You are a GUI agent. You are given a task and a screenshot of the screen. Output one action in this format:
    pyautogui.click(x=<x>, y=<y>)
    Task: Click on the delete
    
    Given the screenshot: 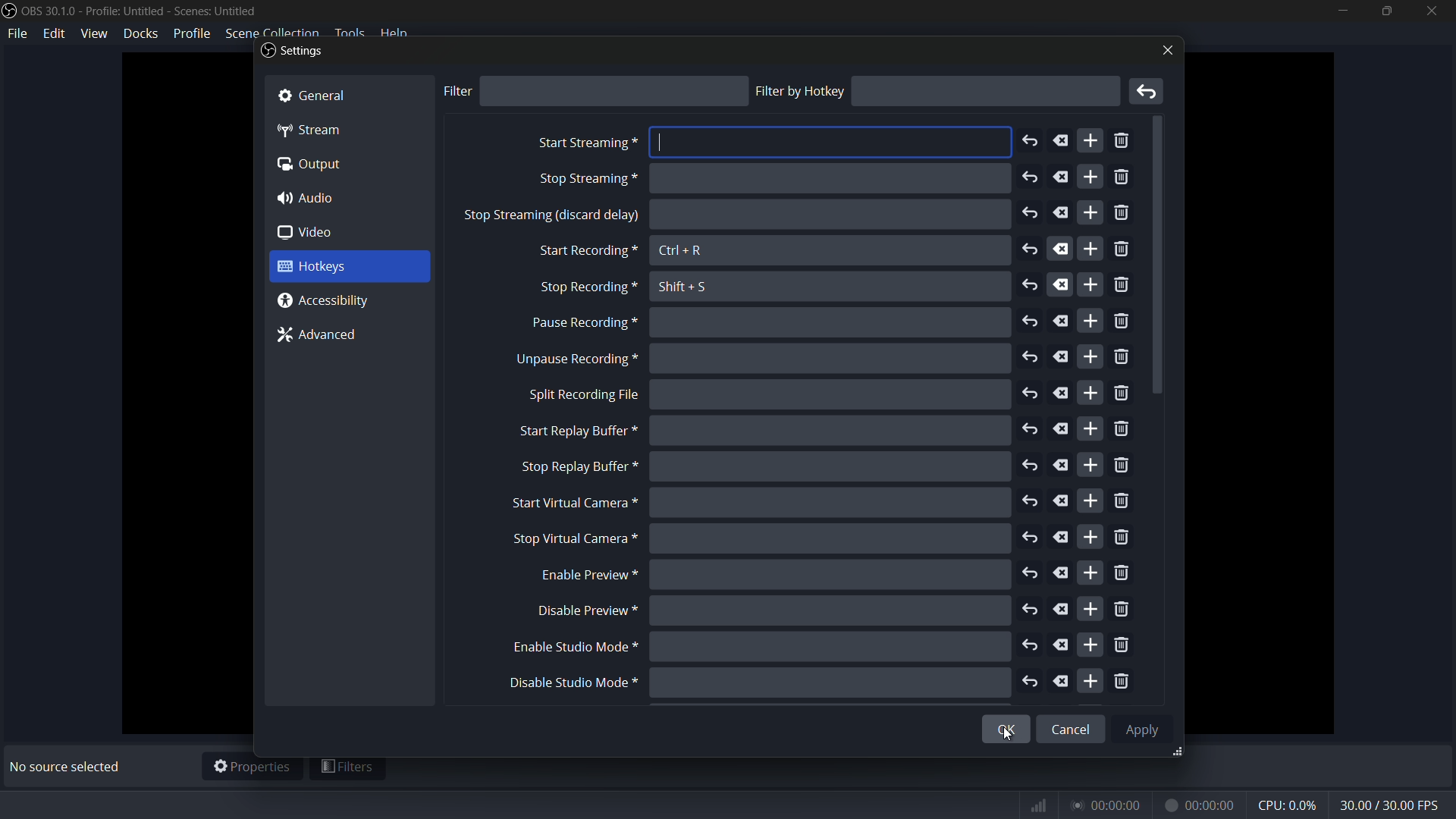 What is the action you would take?
    pyautogui.click(x=1061, y=537)
    